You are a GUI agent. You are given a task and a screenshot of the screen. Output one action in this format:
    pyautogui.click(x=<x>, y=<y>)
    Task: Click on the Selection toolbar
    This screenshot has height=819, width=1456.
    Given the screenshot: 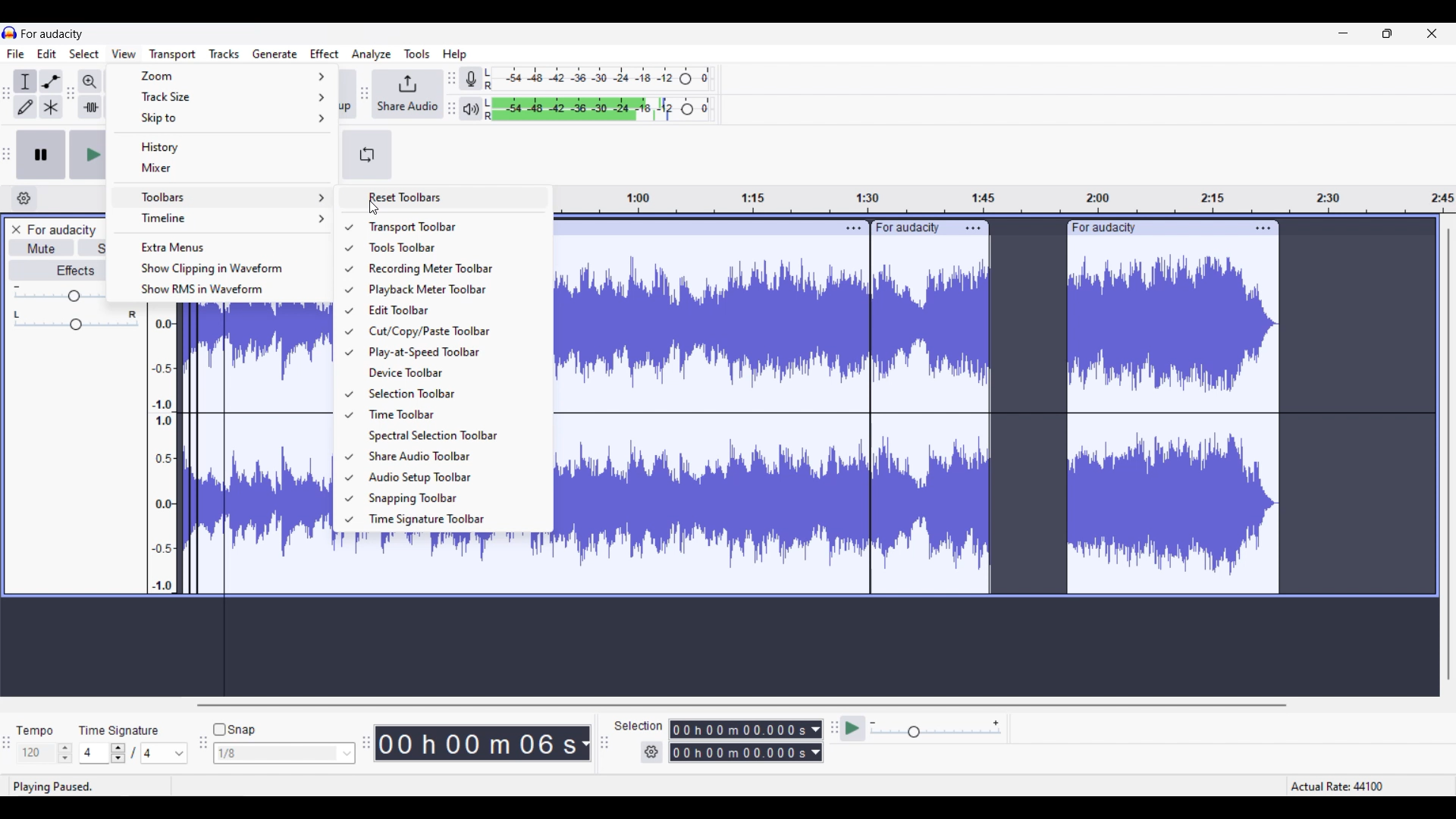 What is the action you would take?
    pyautogui.click(x=450, y=393)
    